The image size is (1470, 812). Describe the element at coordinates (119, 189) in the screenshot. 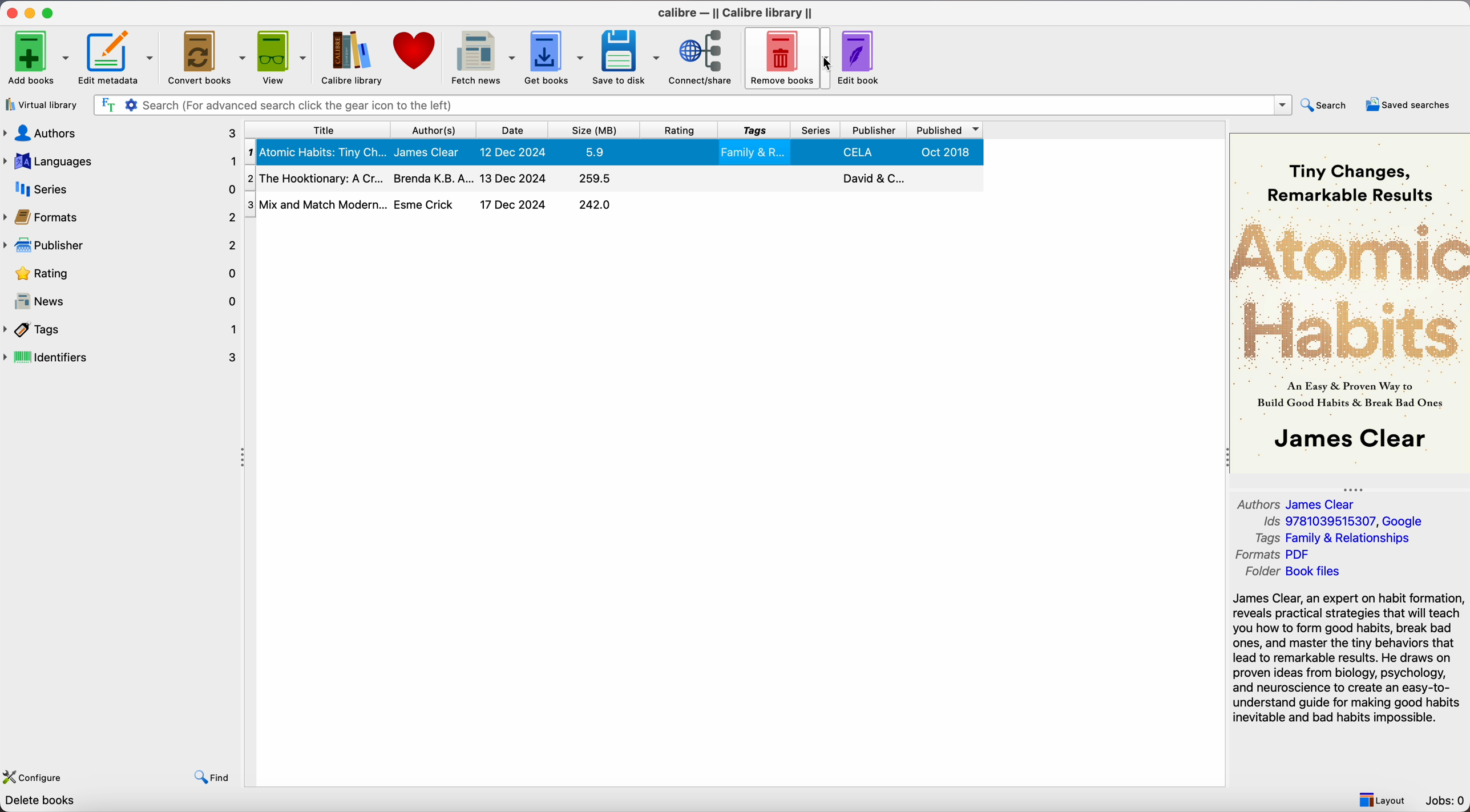

I see `series` at that location.